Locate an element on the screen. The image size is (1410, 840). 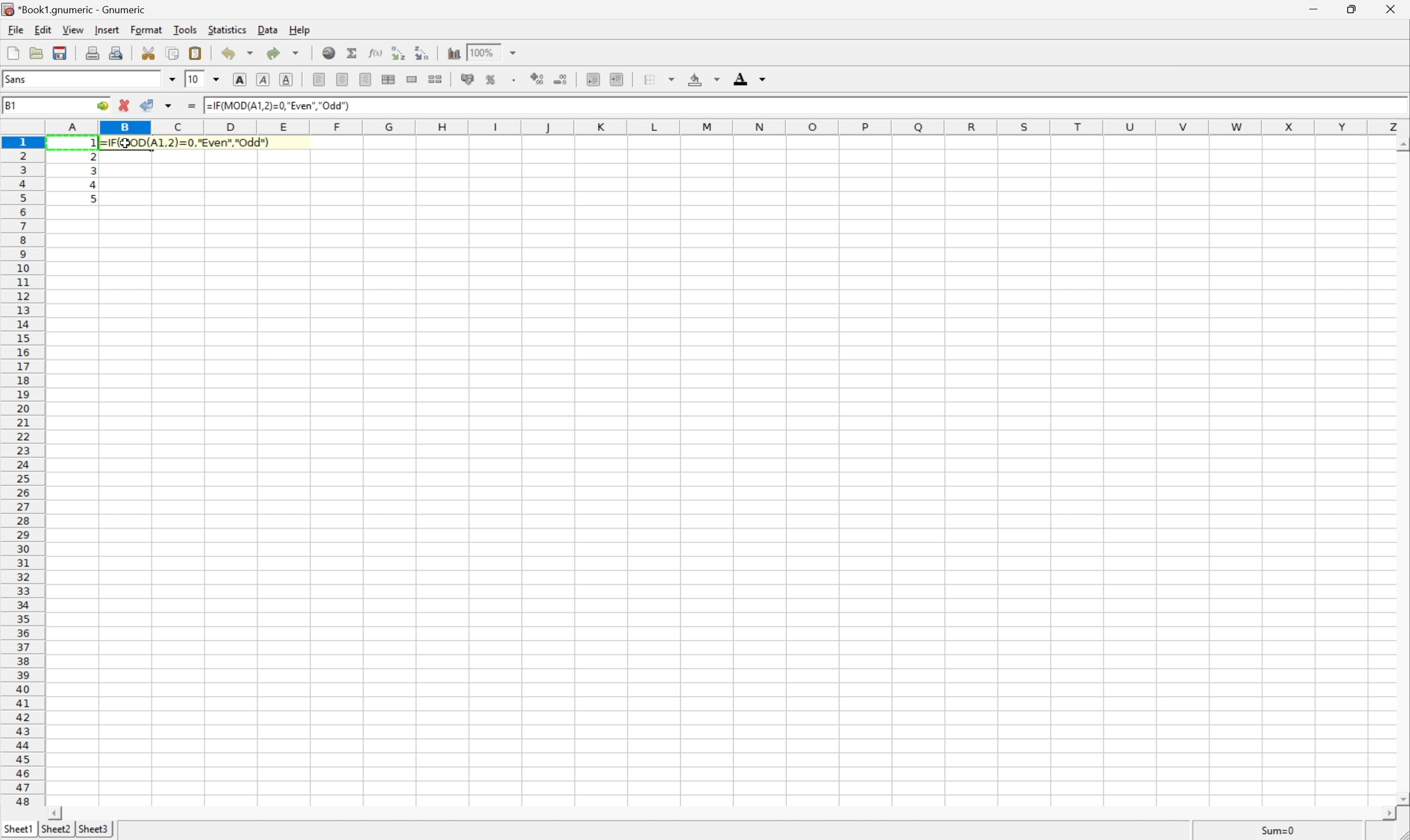
Decrease indent, and align the contents to the left is located at coordinates (593, 77).